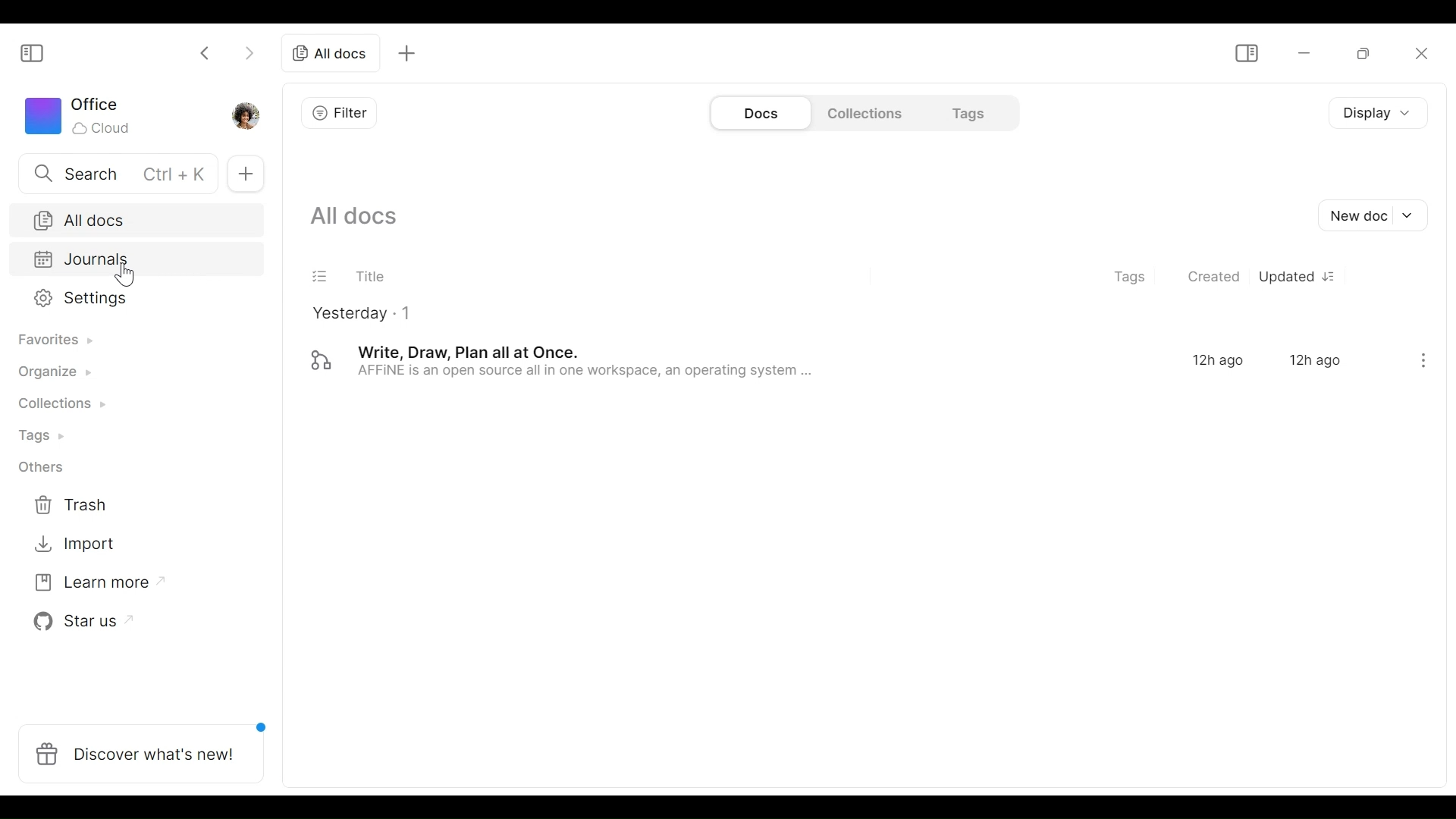 Image resolution: width=1456 pixels, height=819 pixels. What do you see at coordinates (206, 52) in the screenshot?
I see `Click to go back` at bounding box center [206, 52].